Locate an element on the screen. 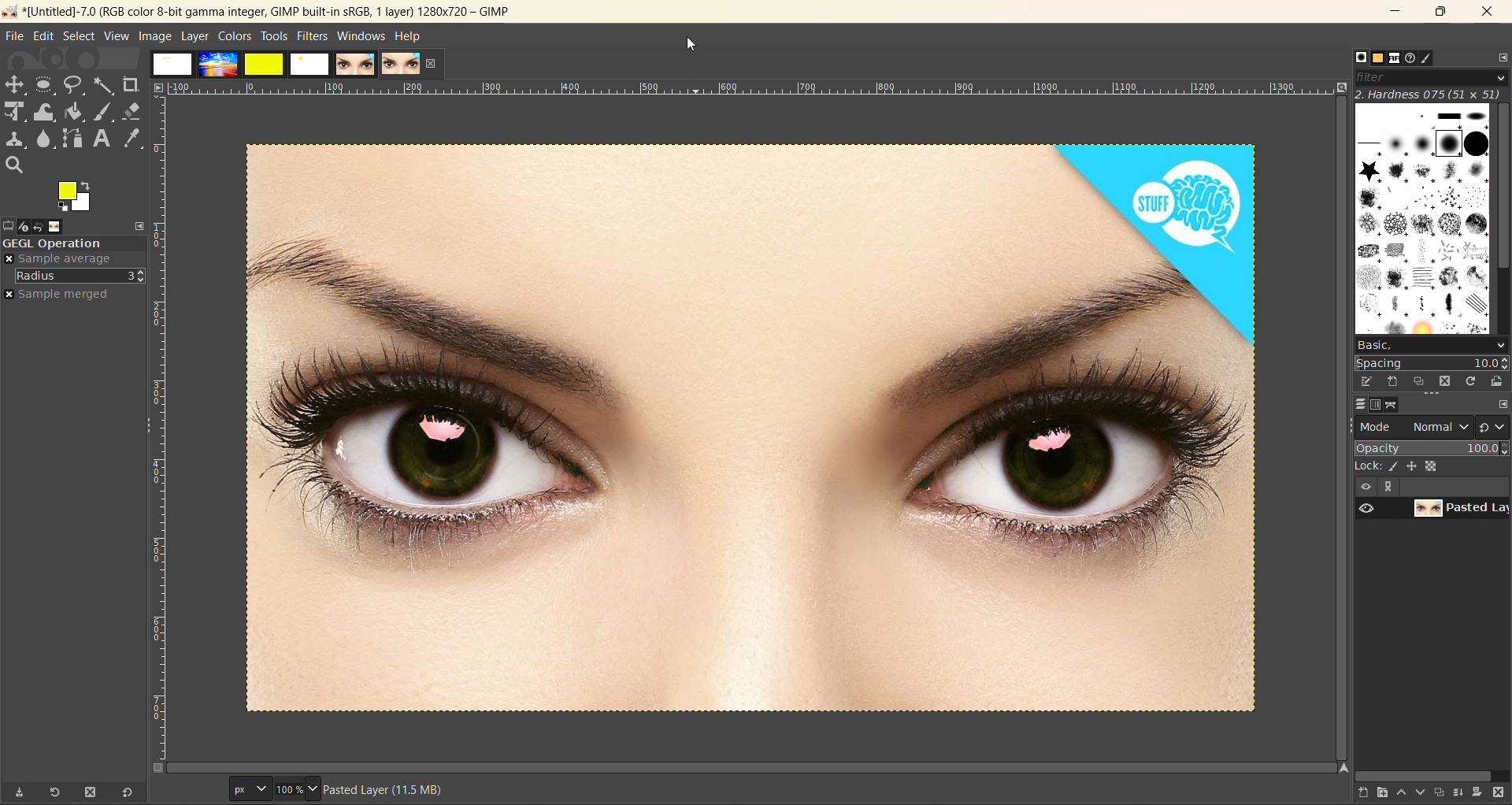  create a new layer group is located at coordinates (1376, 794).